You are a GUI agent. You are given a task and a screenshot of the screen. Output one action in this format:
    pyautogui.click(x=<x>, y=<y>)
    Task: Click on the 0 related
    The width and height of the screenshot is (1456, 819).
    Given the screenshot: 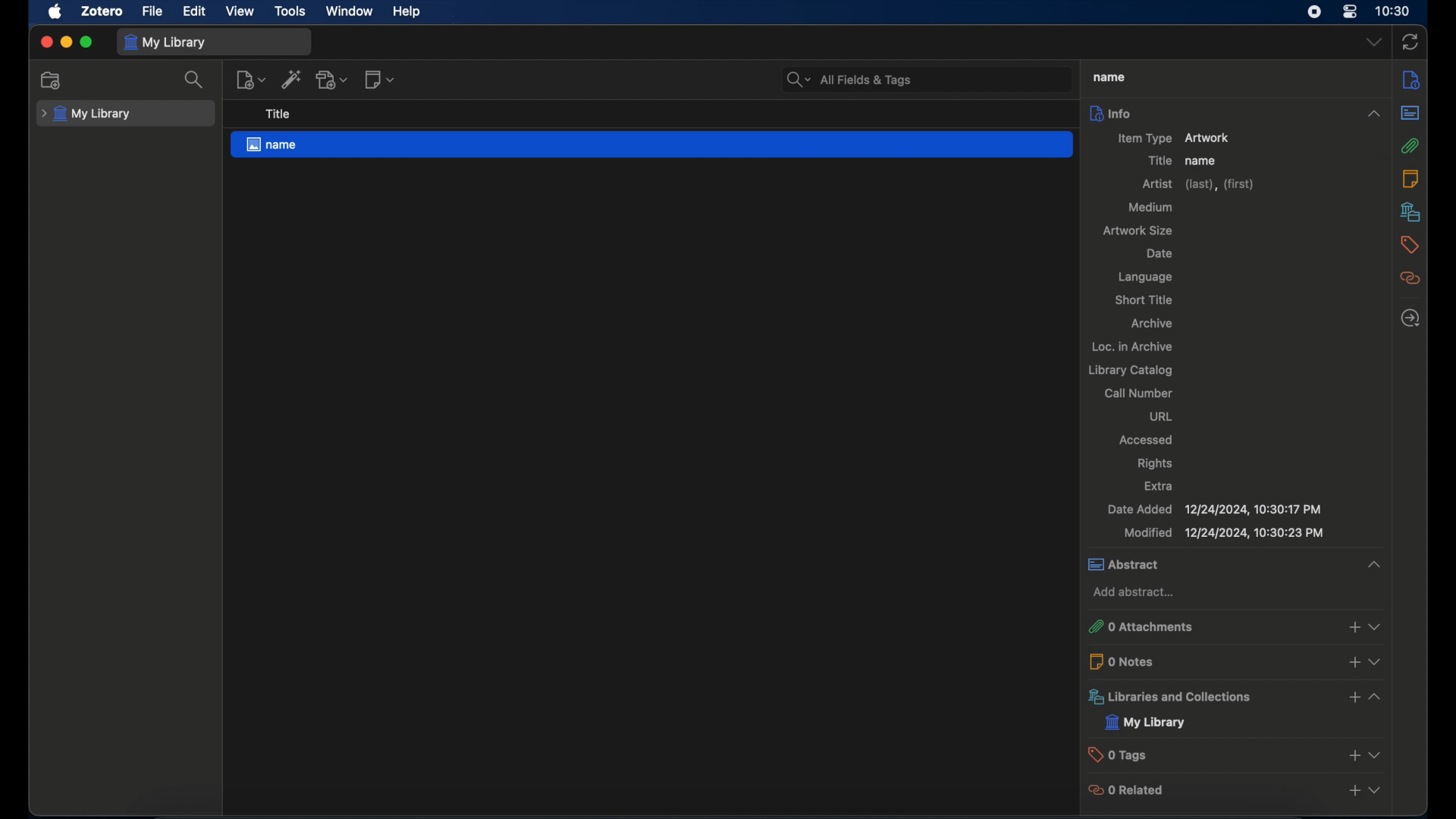 What is the action you would take?
    pyautogui.click(x=1145, y=790)
    